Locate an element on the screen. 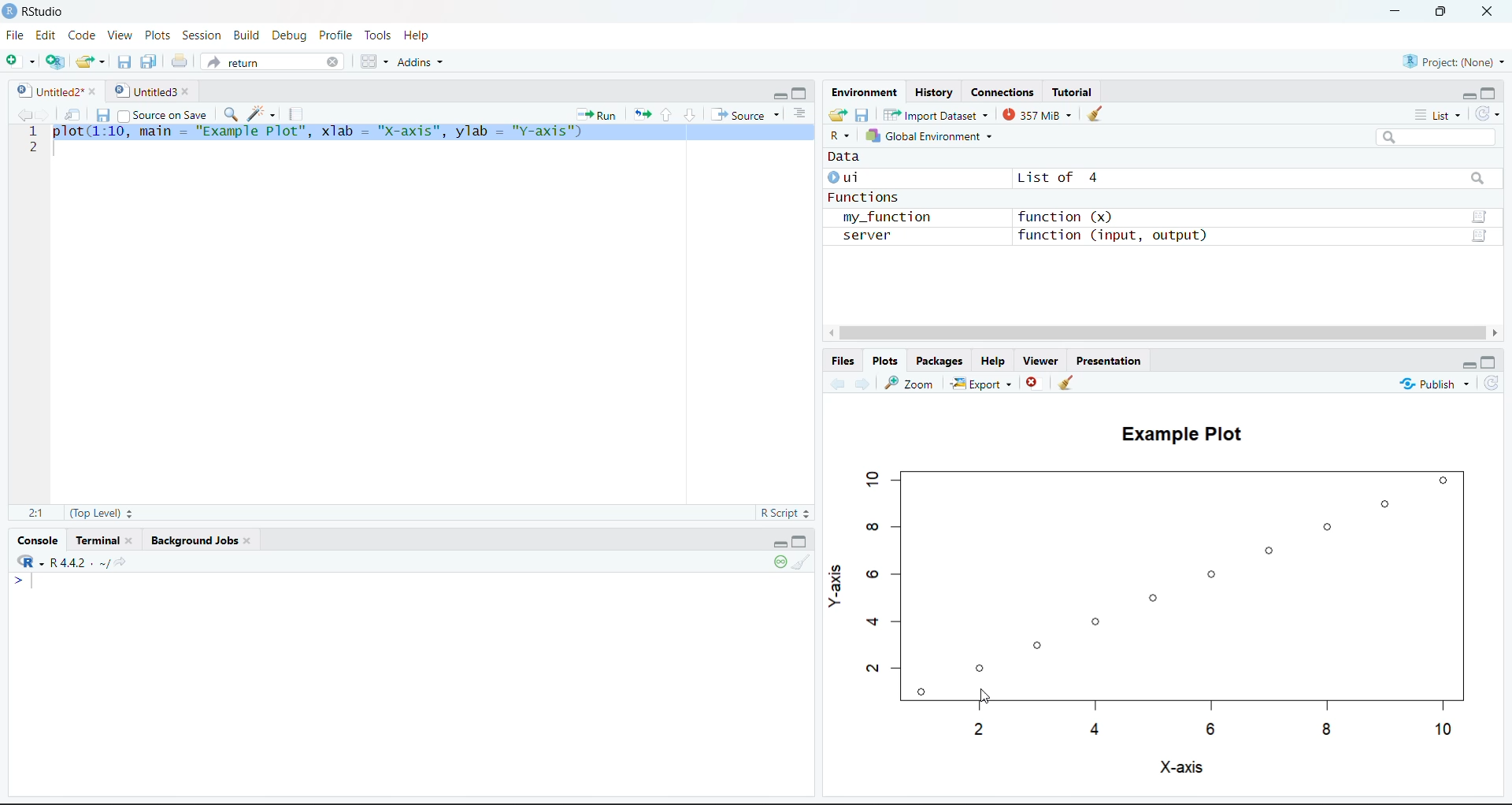 This screenshot has height=805, width=1512. Save current document (Ctrl + S) is located at coordinates (102, 113).